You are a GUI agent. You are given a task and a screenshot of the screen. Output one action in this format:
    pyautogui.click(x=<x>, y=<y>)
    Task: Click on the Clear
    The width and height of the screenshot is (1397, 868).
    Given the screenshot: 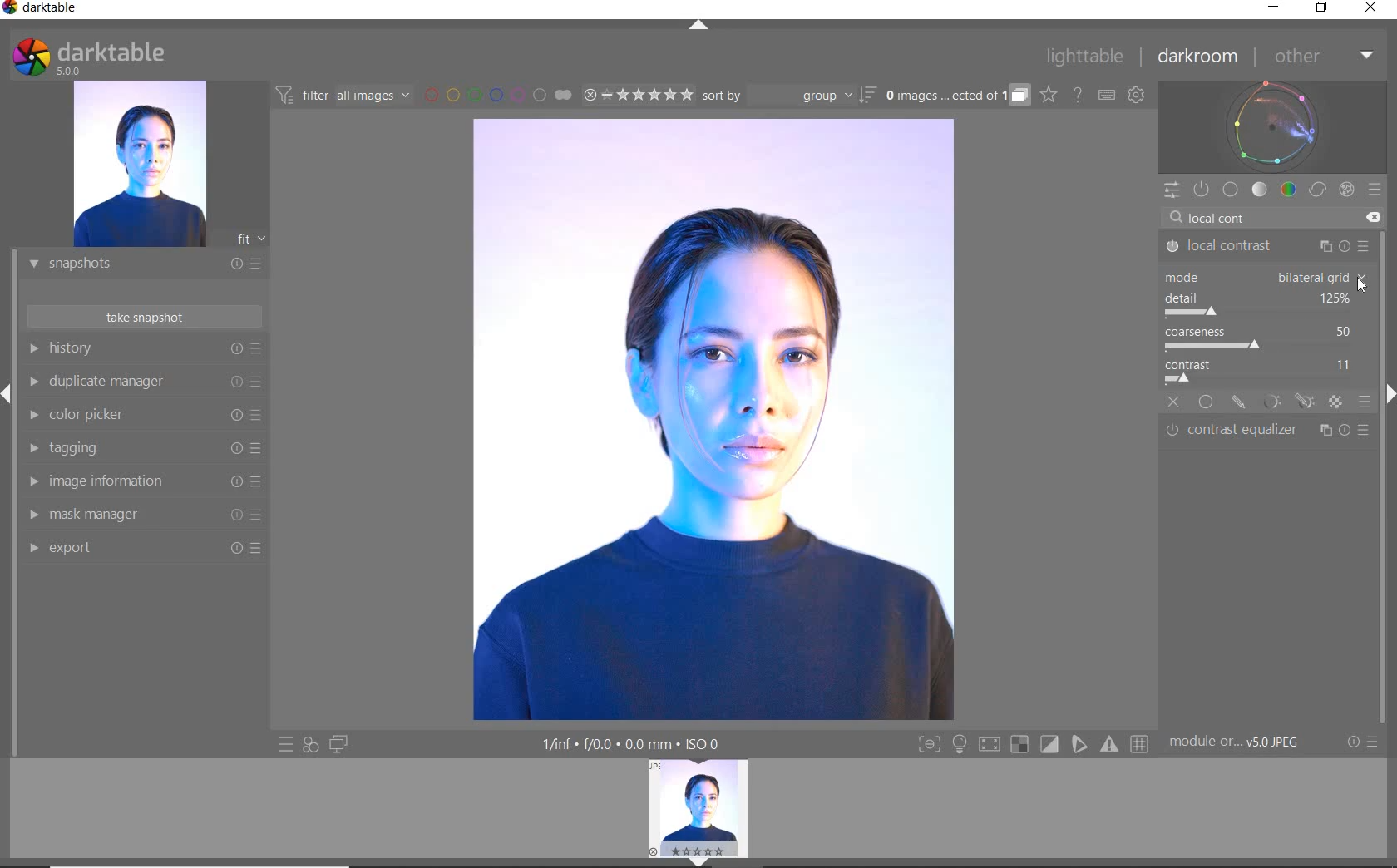 What is the action you would take?
    pyautogui.click(x=1372, y=218)
    